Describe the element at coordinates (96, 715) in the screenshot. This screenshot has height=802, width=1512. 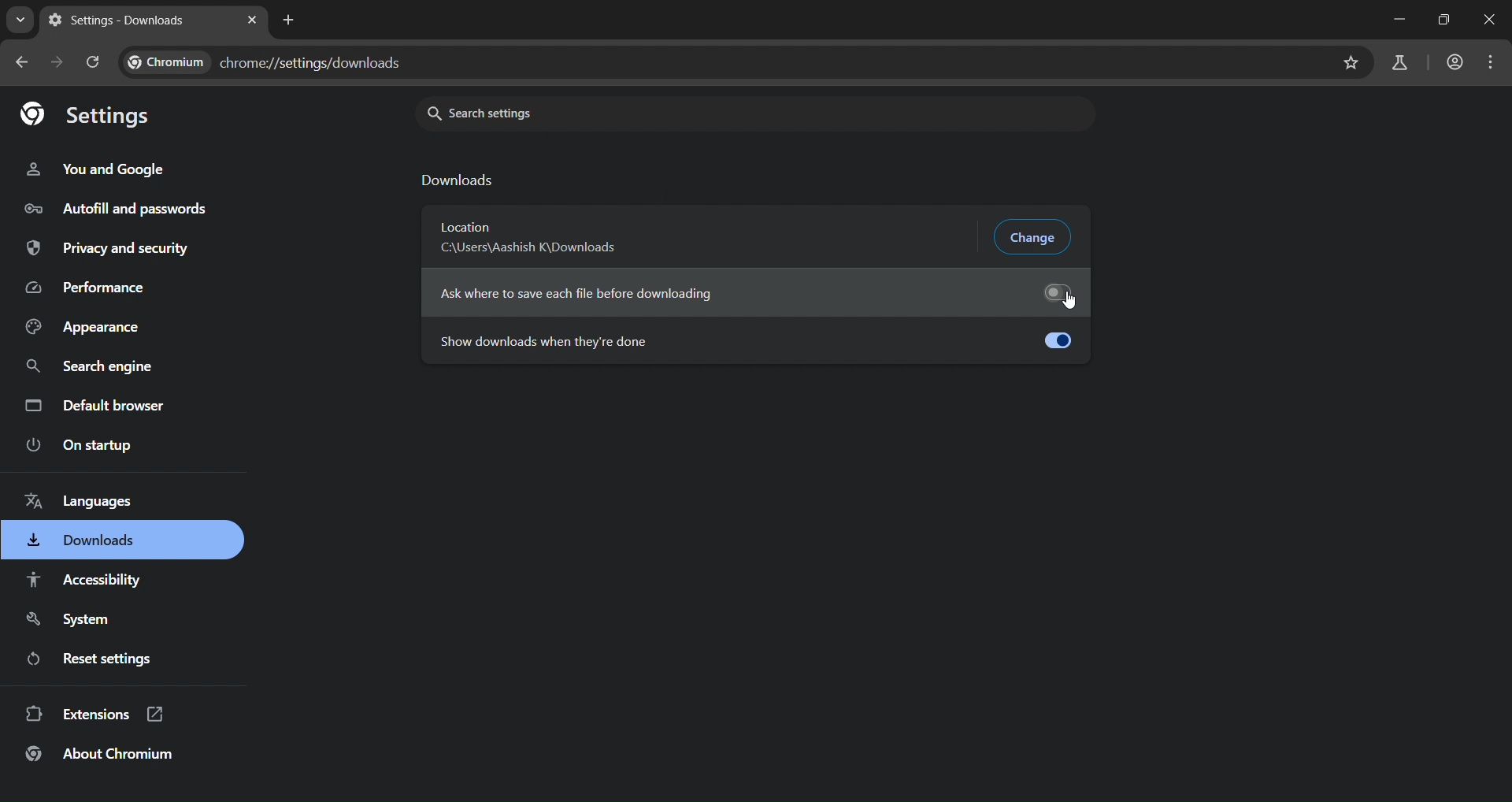
I see `extensions` at that location.